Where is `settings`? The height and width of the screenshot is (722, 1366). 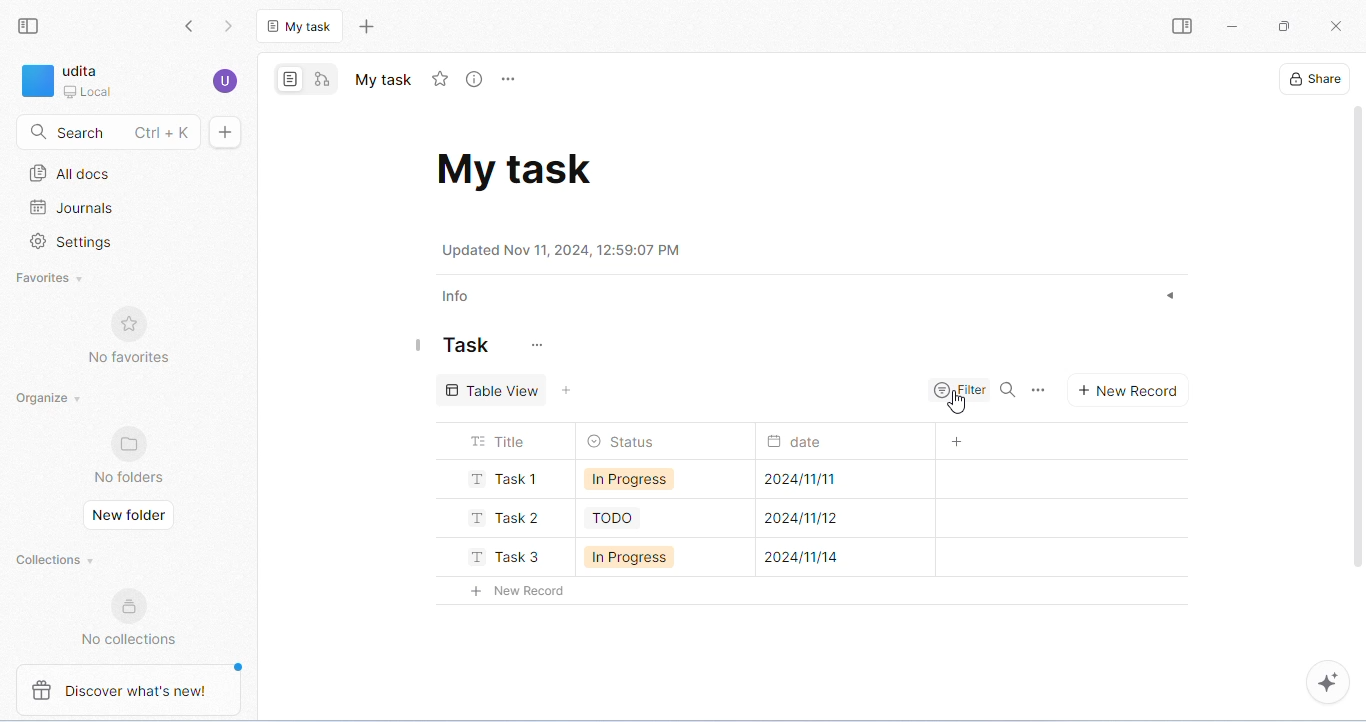
settings is located at coordinates (72, 244).